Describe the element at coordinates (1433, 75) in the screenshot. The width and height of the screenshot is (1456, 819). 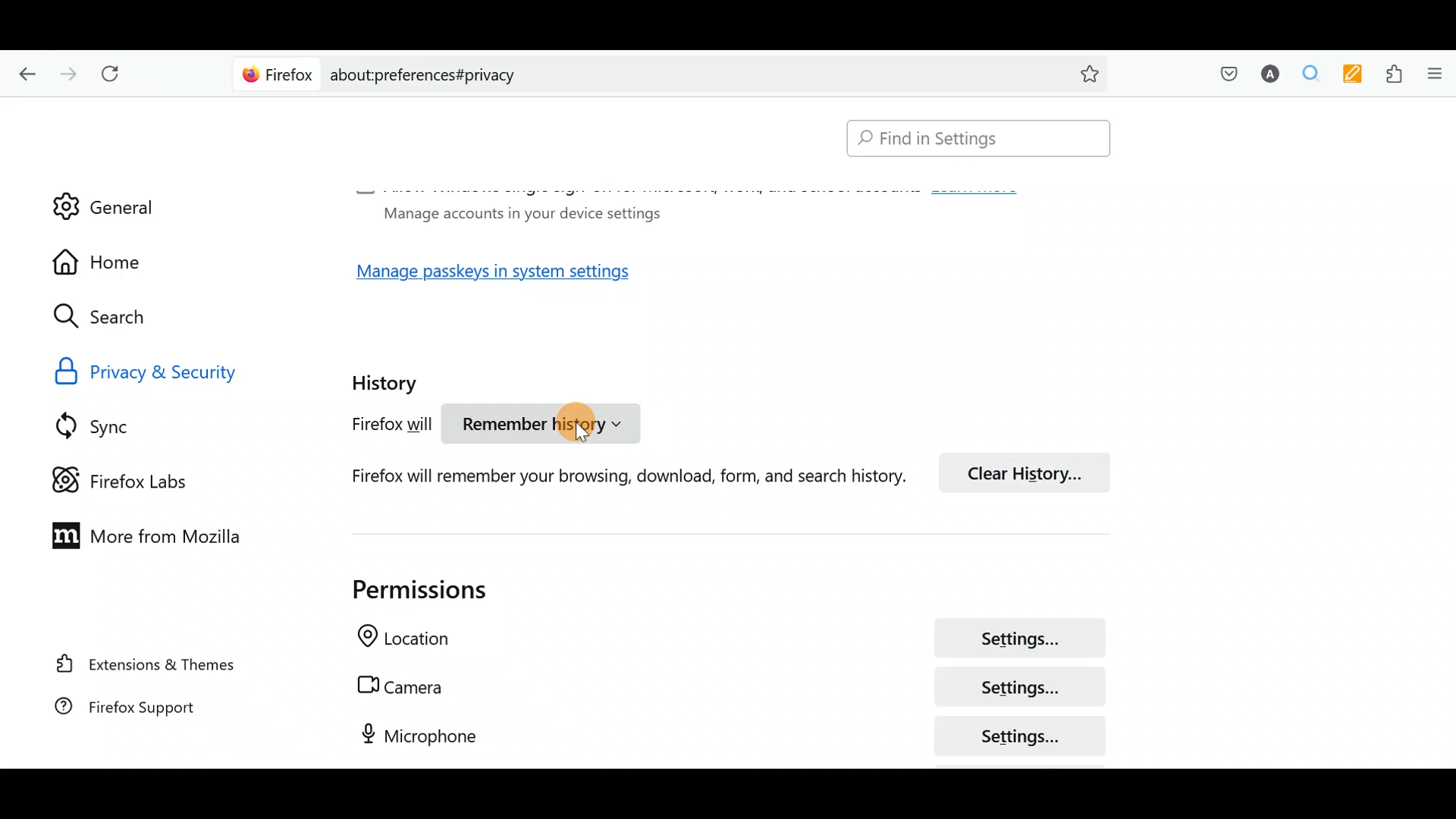
I see `Open application menu` at that location.